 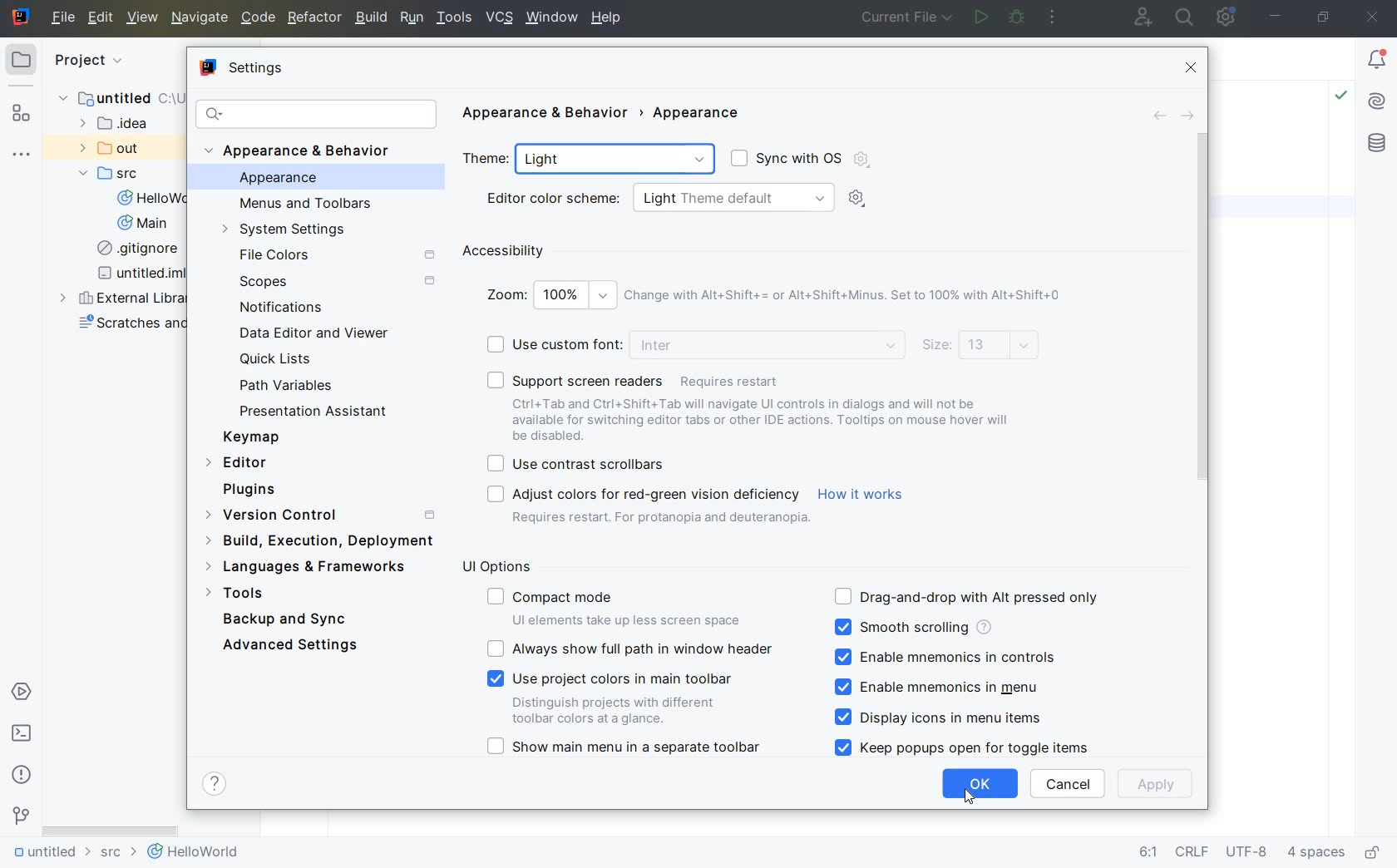 What do you see at coordinates (618, 605) in the screenshot?
I see `compact mode` at bounding box center [618, 605].